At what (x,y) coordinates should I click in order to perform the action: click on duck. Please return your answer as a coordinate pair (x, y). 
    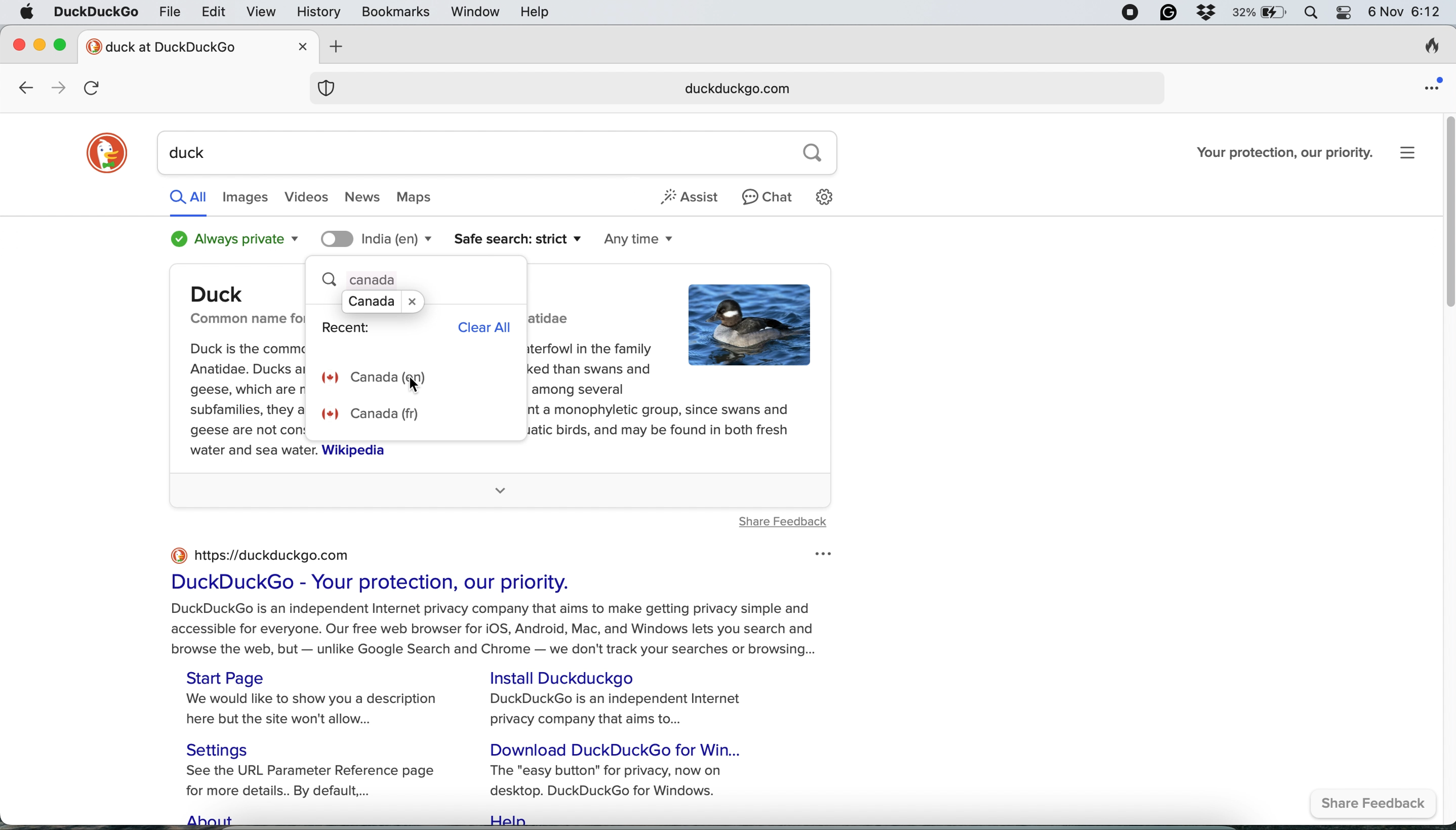
    Looking at the image, I should click on (469, 153).